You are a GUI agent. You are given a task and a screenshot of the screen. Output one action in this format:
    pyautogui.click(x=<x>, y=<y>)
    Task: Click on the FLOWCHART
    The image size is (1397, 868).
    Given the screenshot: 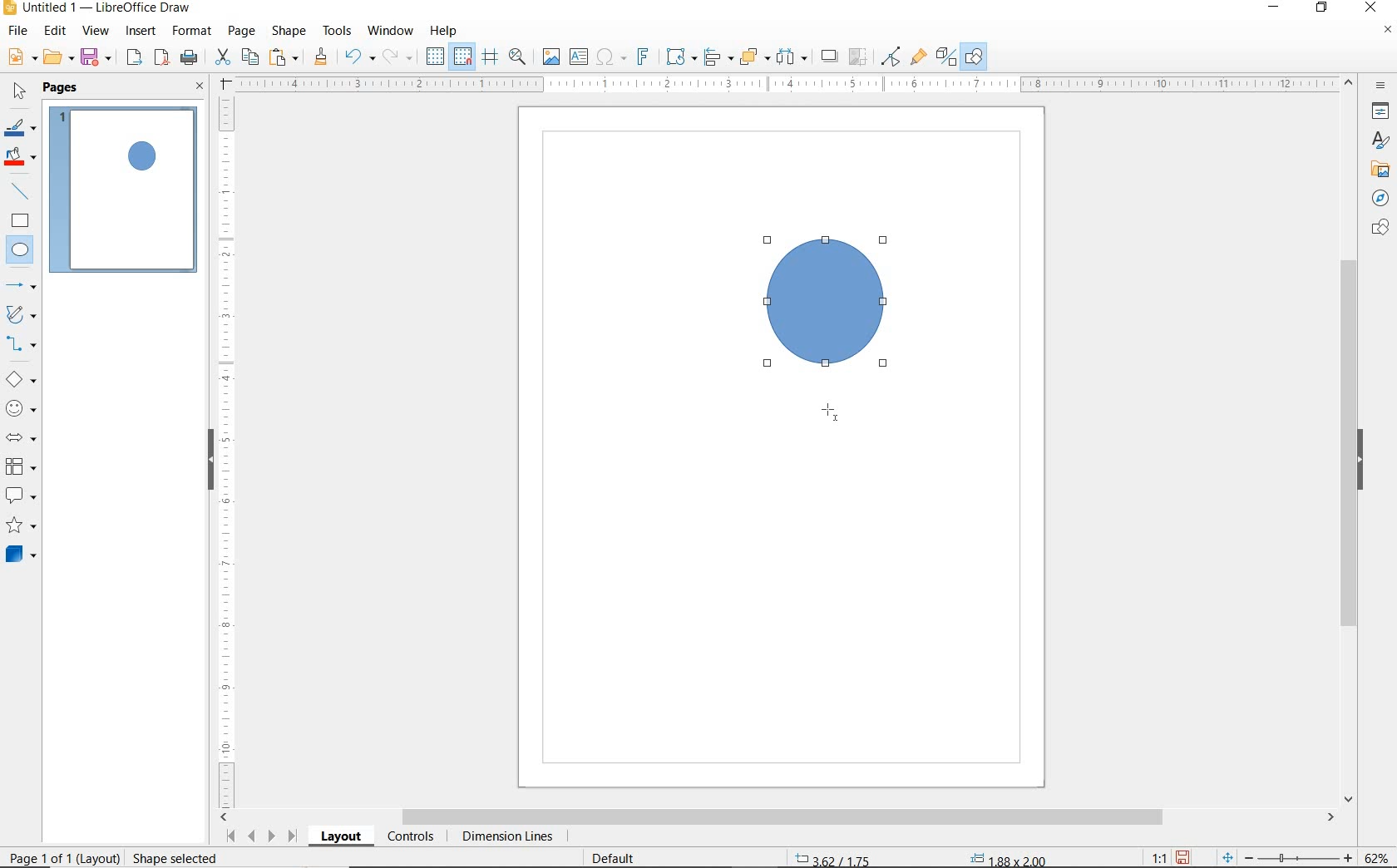 What is the action you would take?
    pyautogui.click(x=20, y=467)
    